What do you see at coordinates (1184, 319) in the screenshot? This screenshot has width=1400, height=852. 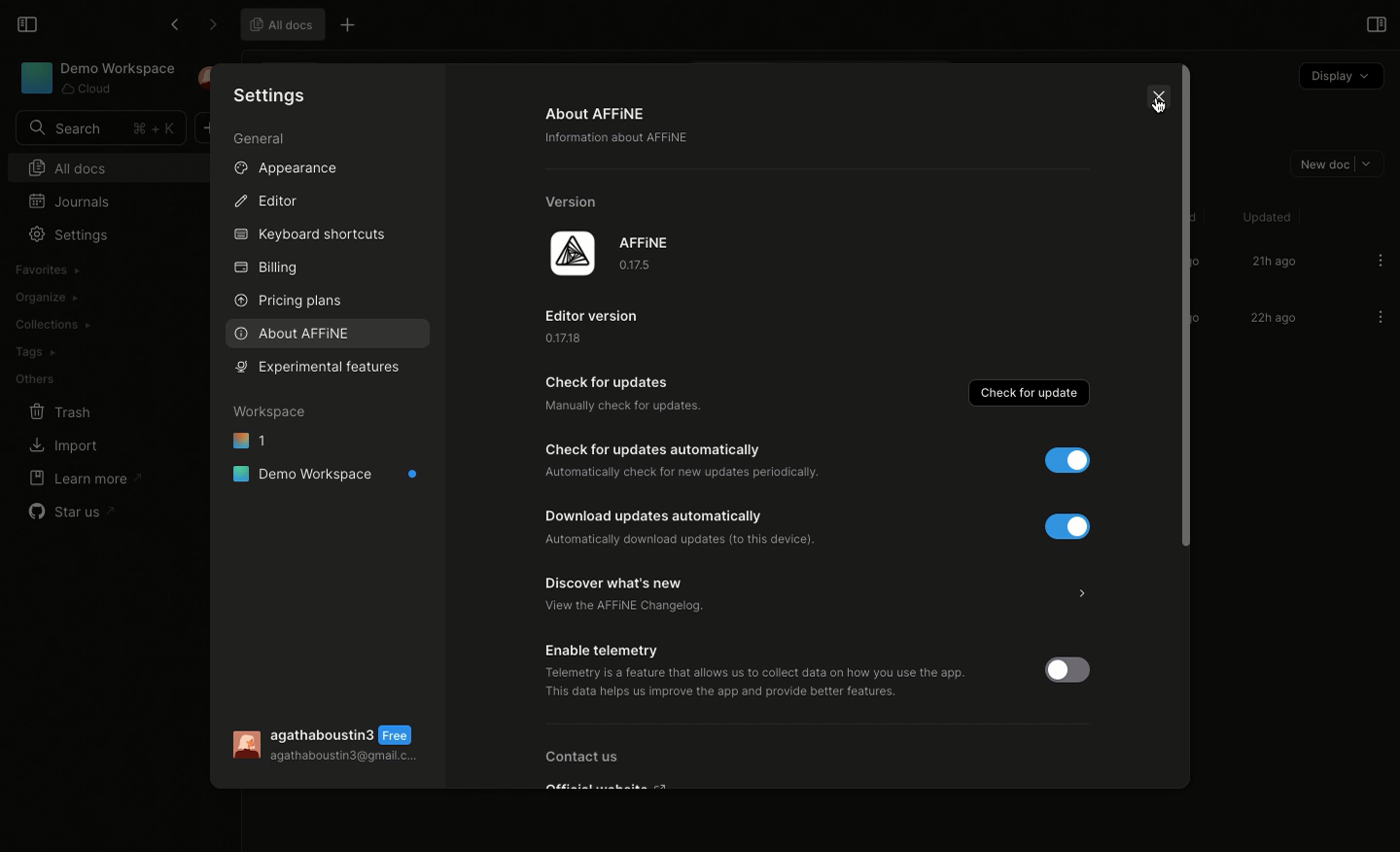 I see `Scroll` at bounding box center [1184, 319].